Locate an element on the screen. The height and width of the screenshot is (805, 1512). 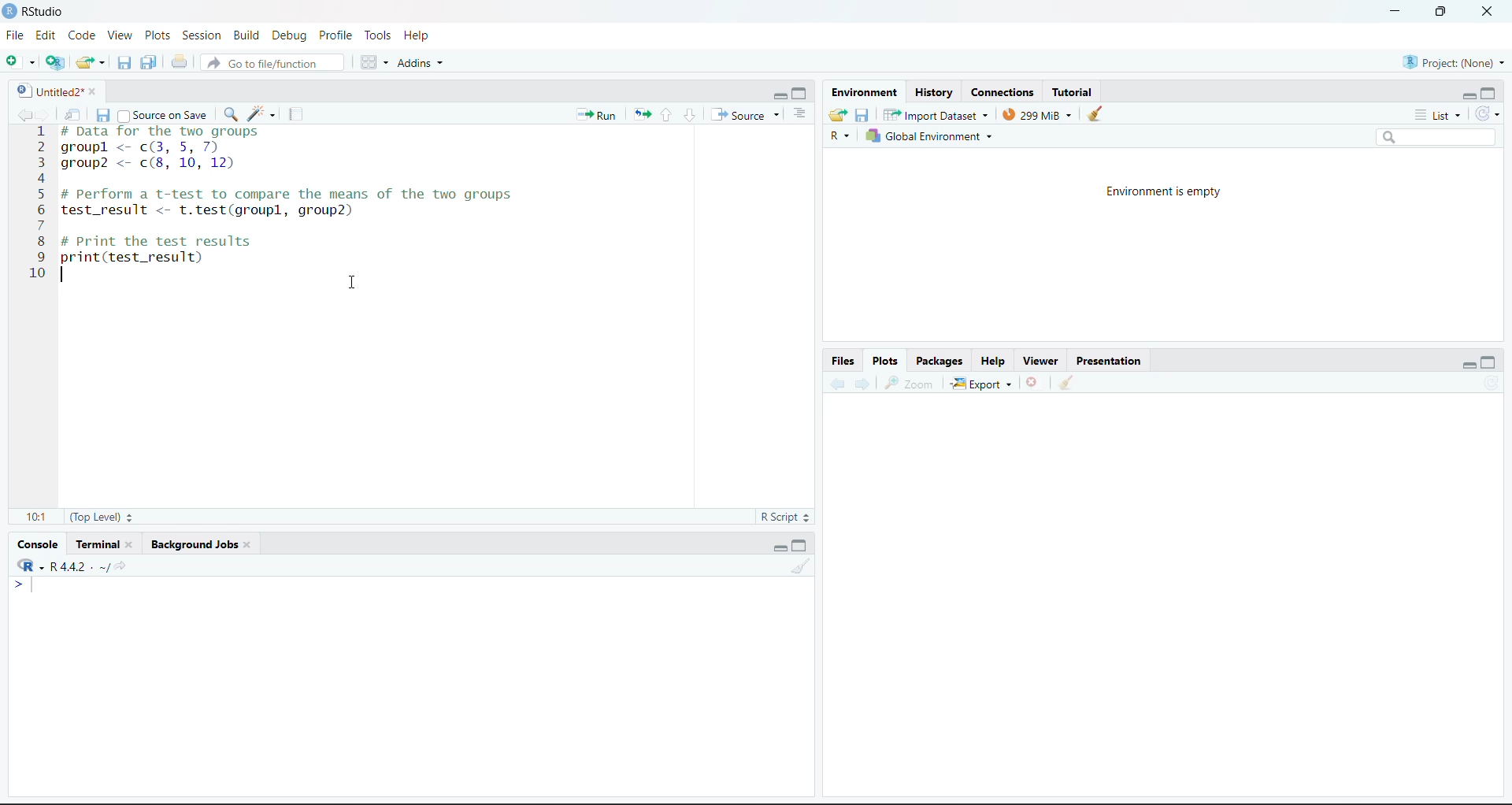
clear all plots is located at coordinates (1067, 384).